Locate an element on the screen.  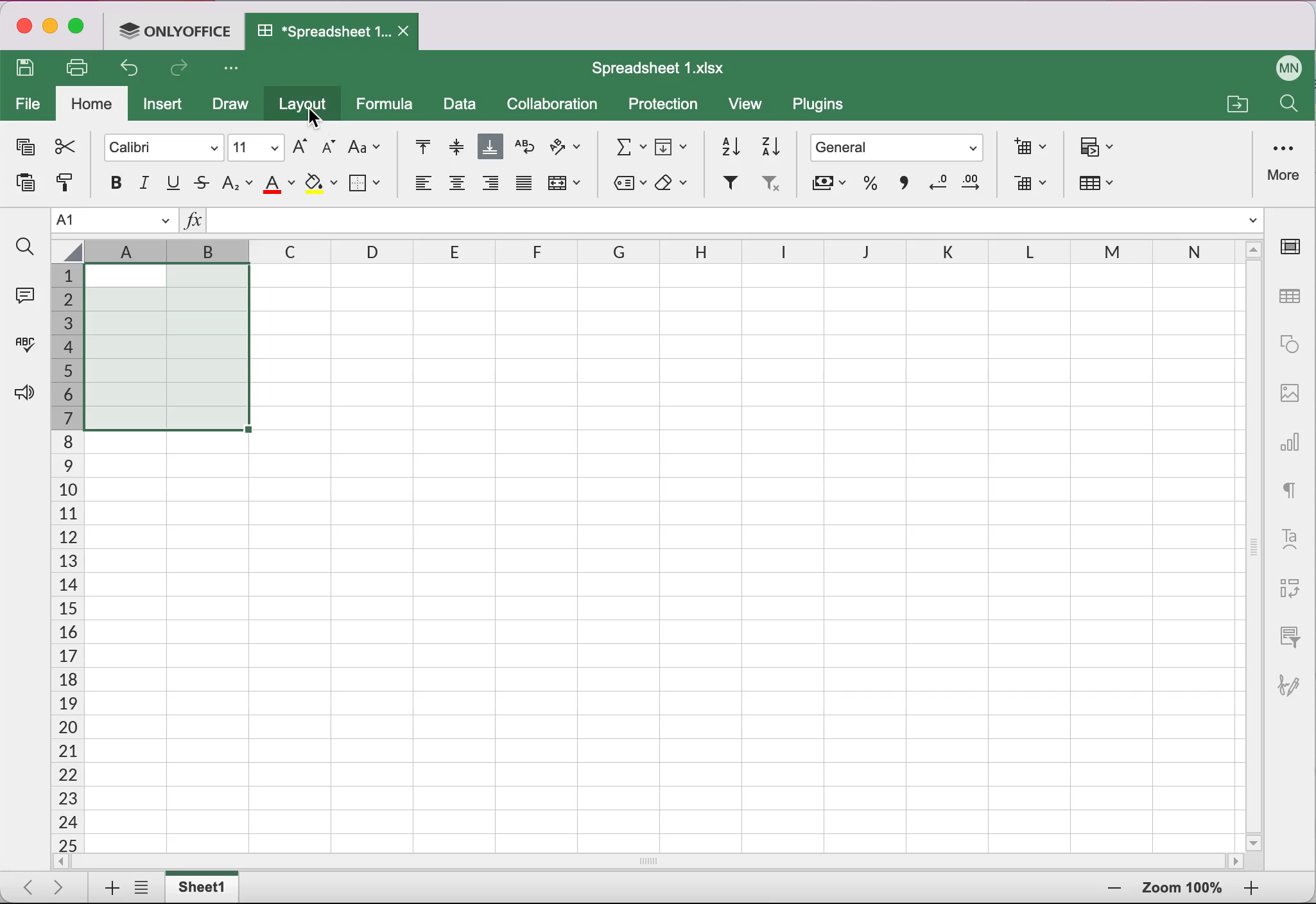
striketrough is located at coordinates (202, 184).